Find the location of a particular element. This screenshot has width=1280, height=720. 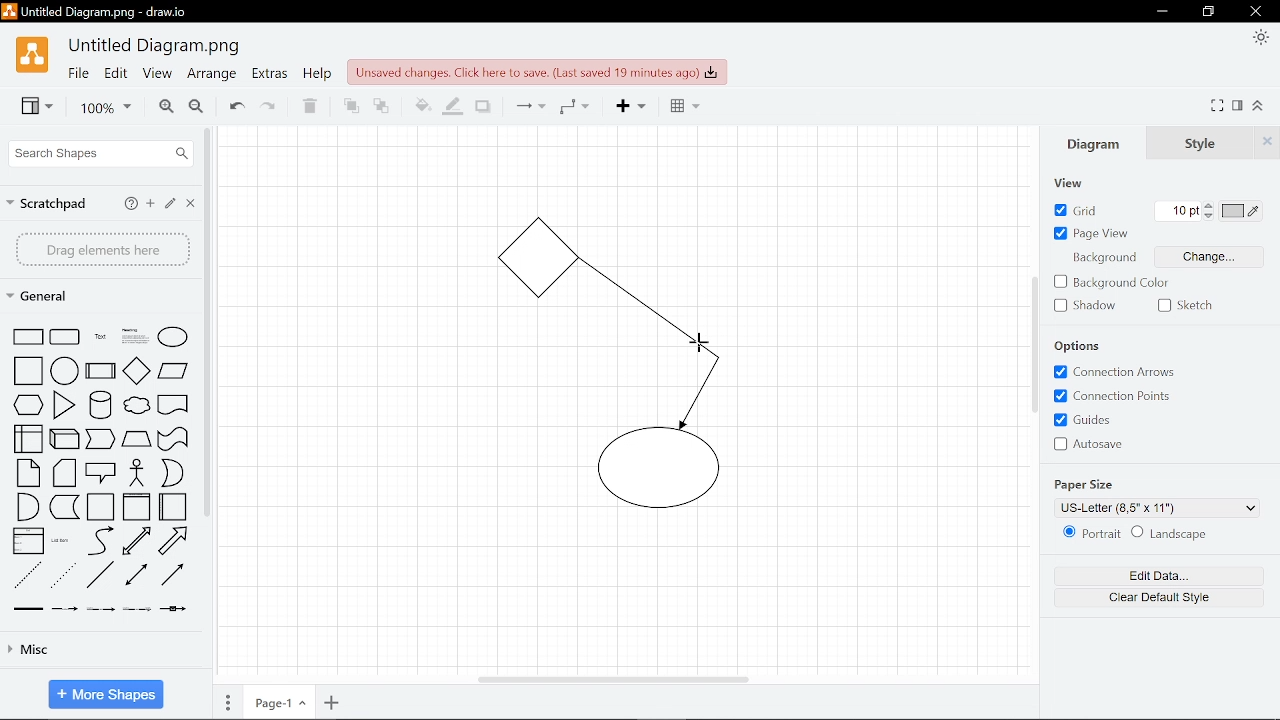

Untitled Diagram.png - draw.io is located at coordinates (109, 14).